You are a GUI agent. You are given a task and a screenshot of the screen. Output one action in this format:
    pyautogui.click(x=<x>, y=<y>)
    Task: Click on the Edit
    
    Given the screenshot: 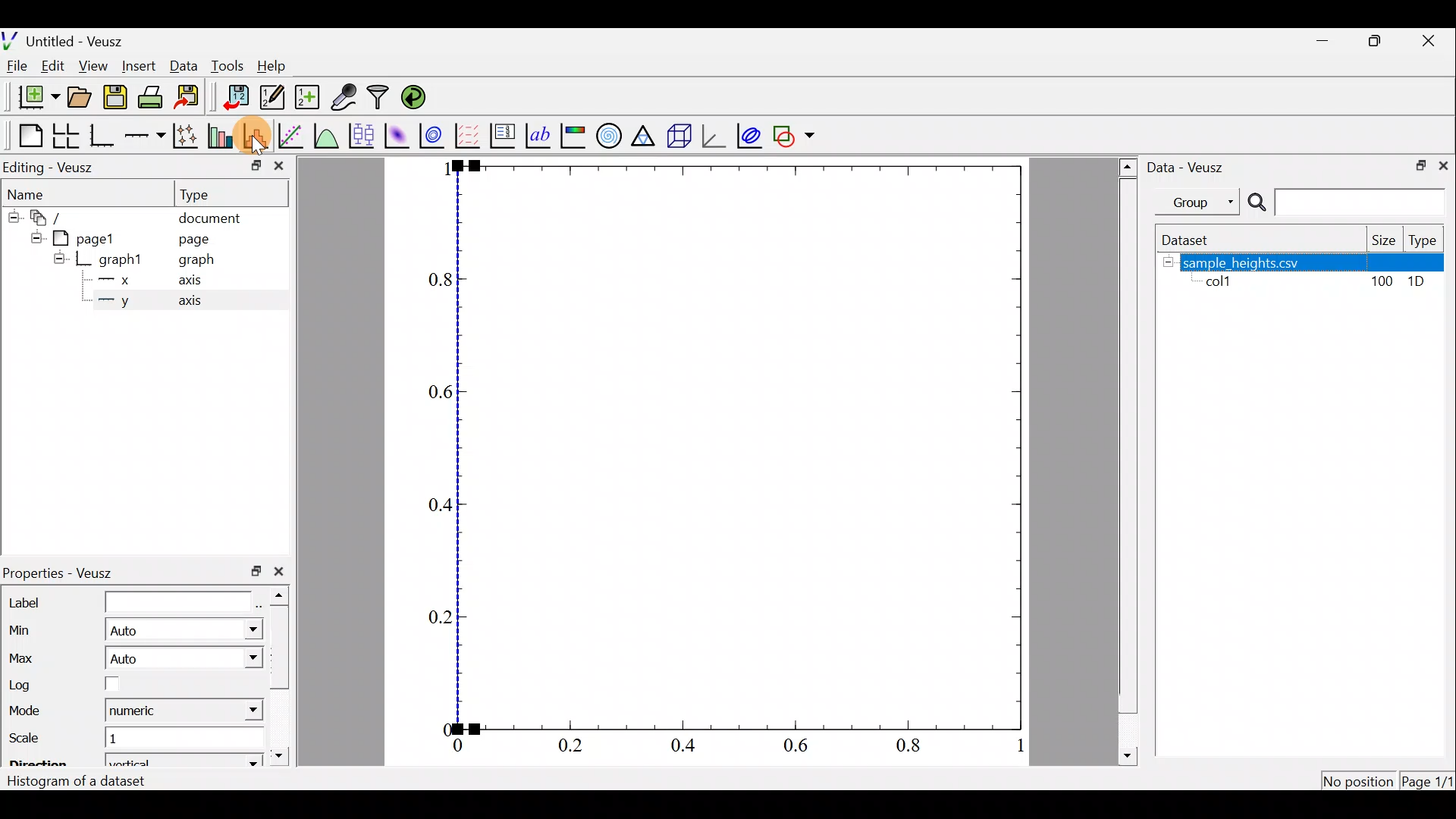 What is the action you would take?
    pyautogui.click(x=52, y=67)
    